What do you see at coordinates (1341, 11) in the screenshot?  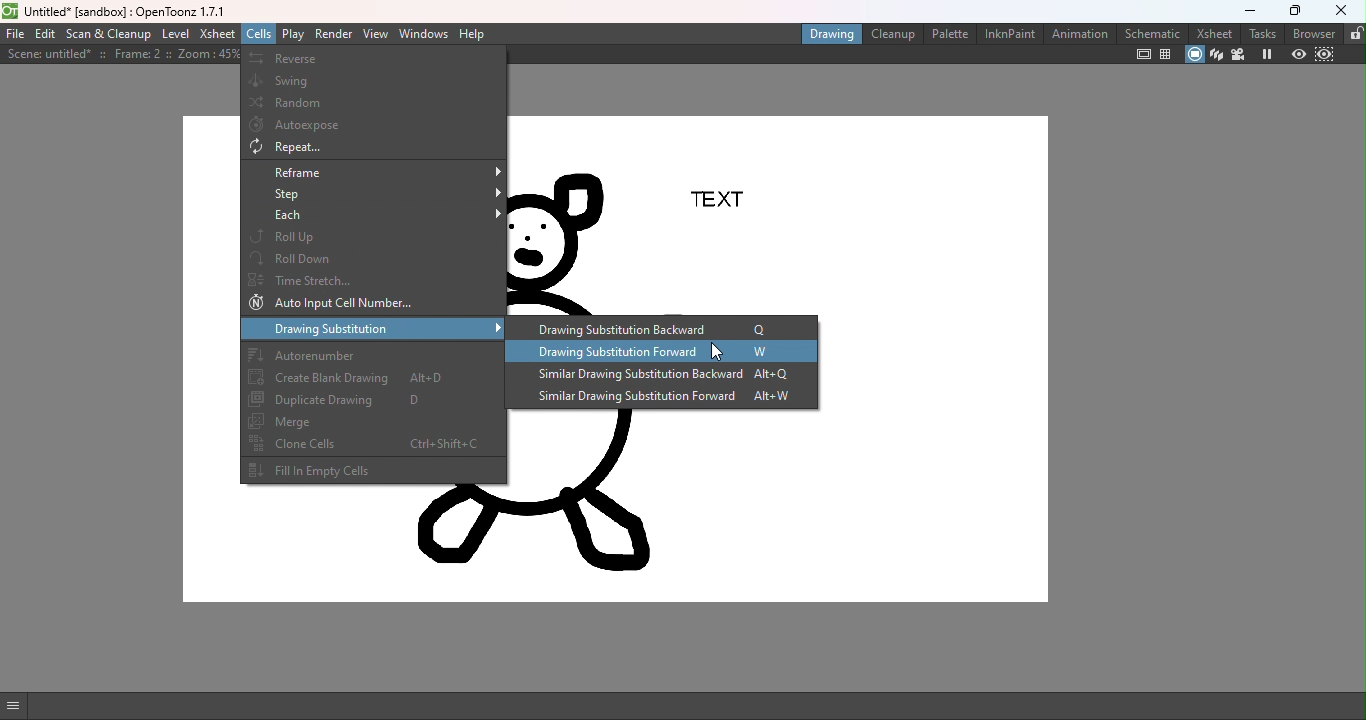 I see `close` at bounding box center [1341, 11].